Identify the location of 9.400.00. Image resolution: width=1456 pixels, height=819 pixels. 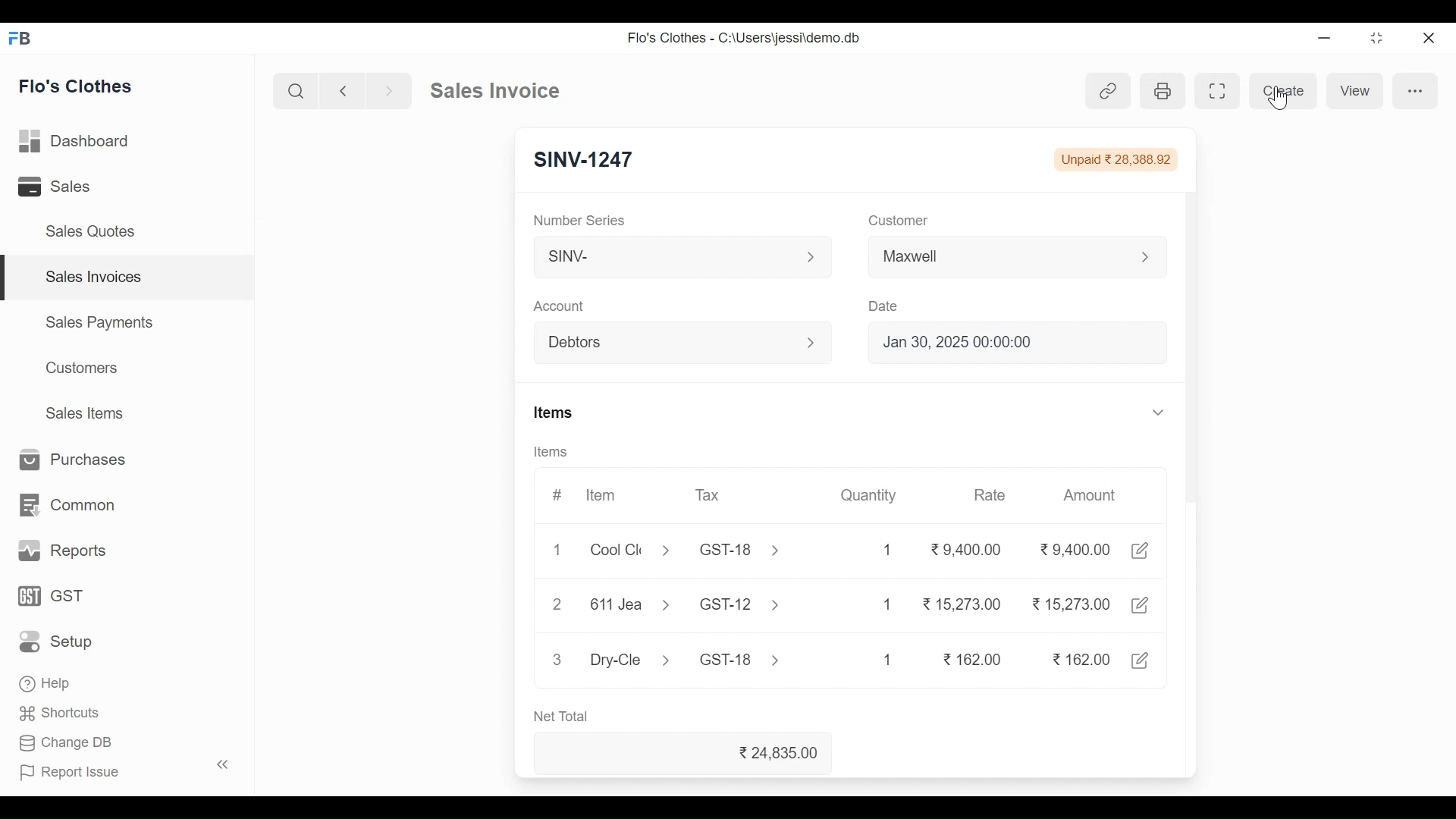
(1075, 548).